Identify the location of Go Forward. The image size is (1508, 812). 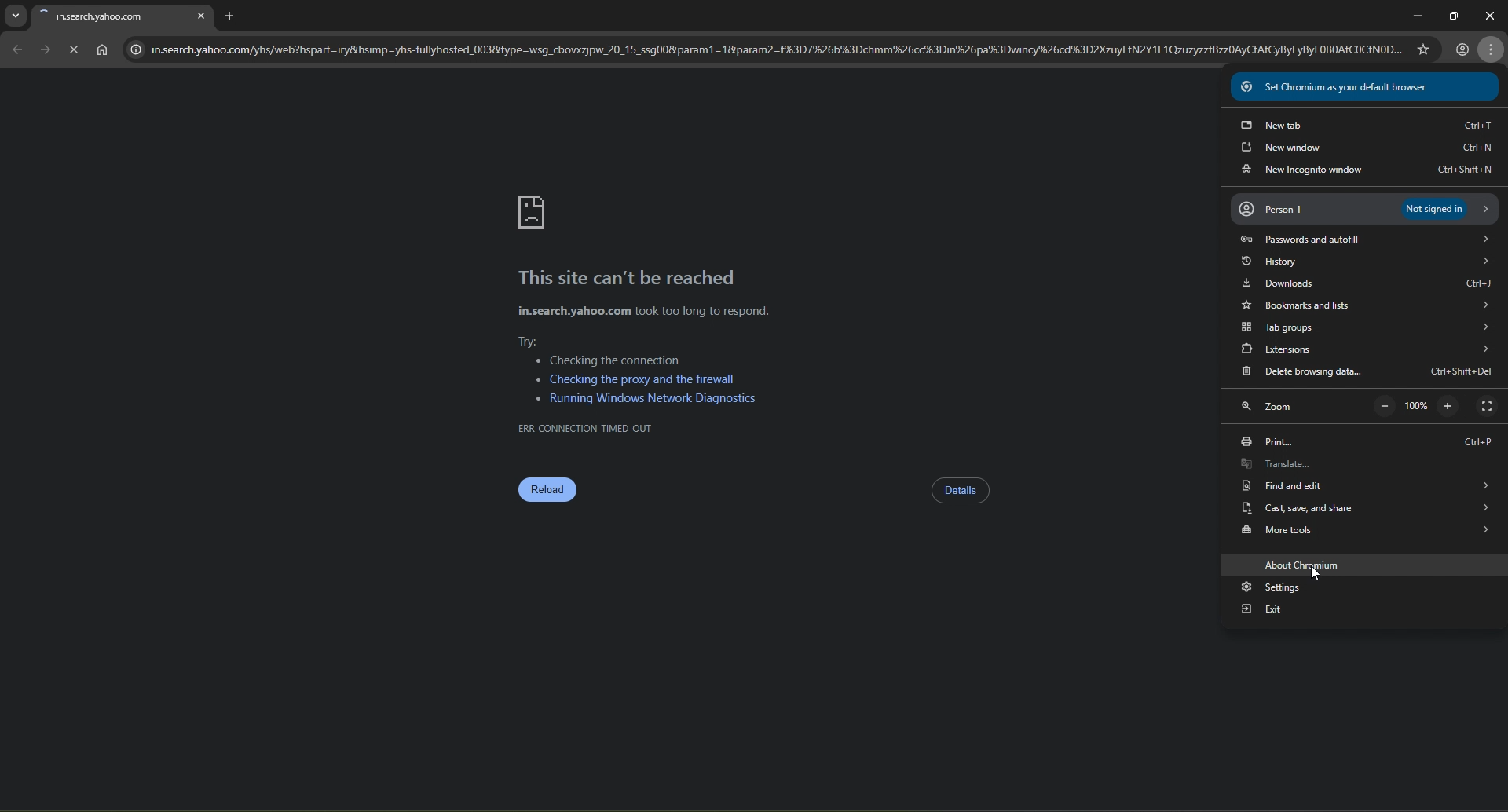
(45, 49).